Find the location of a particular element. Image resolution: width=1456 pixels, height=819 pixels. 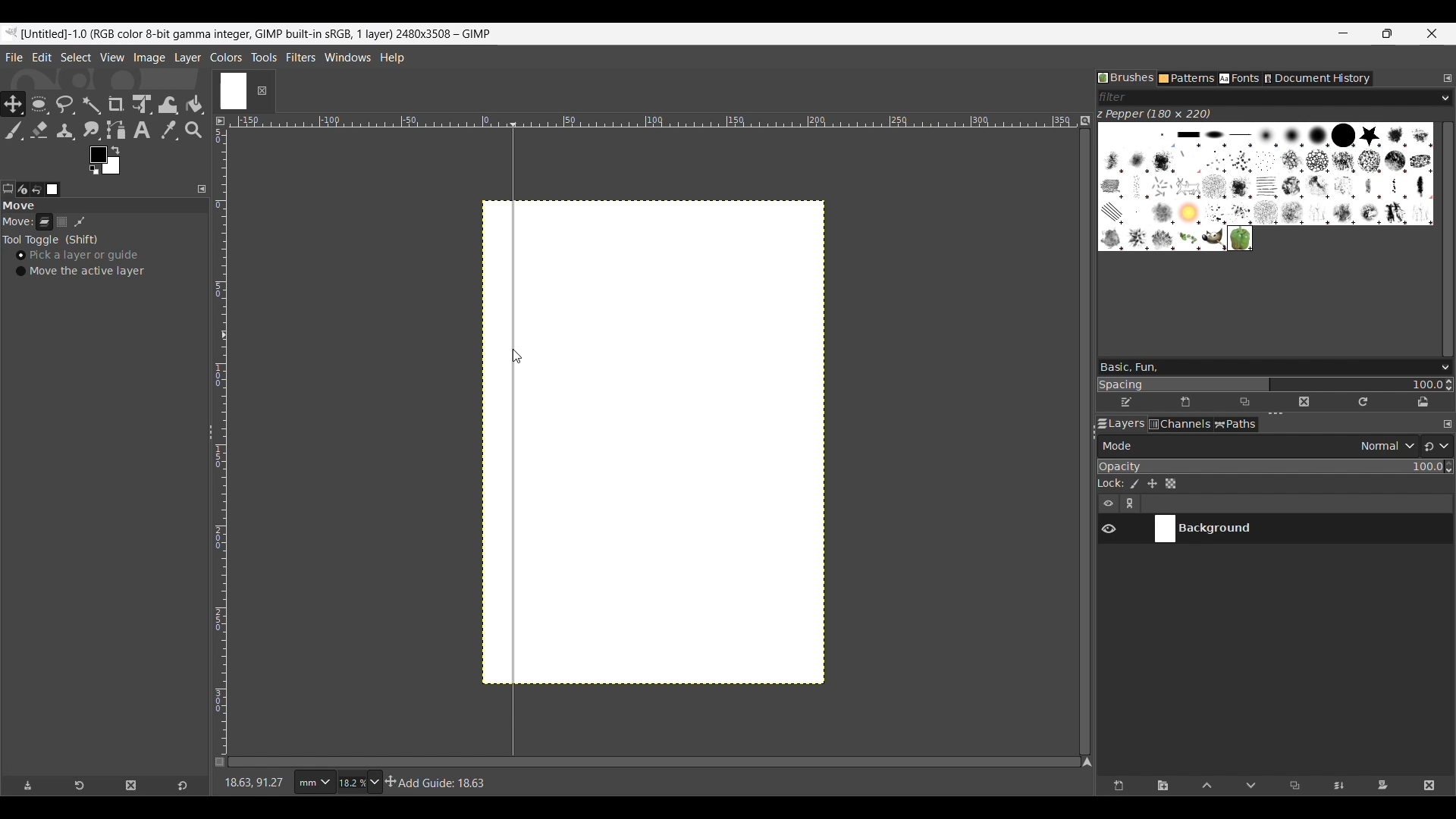

Images is located at coordinates (53, 190).